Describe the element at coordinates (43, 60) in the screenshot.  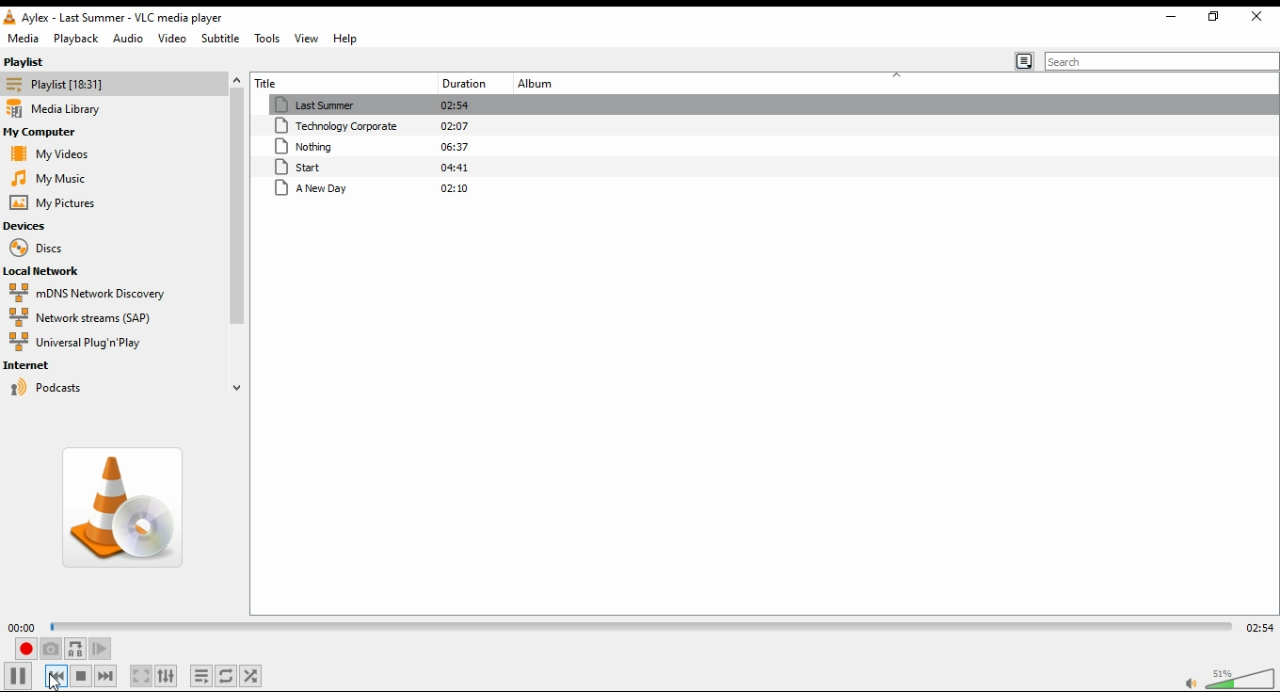
I see `playlist` at that location.